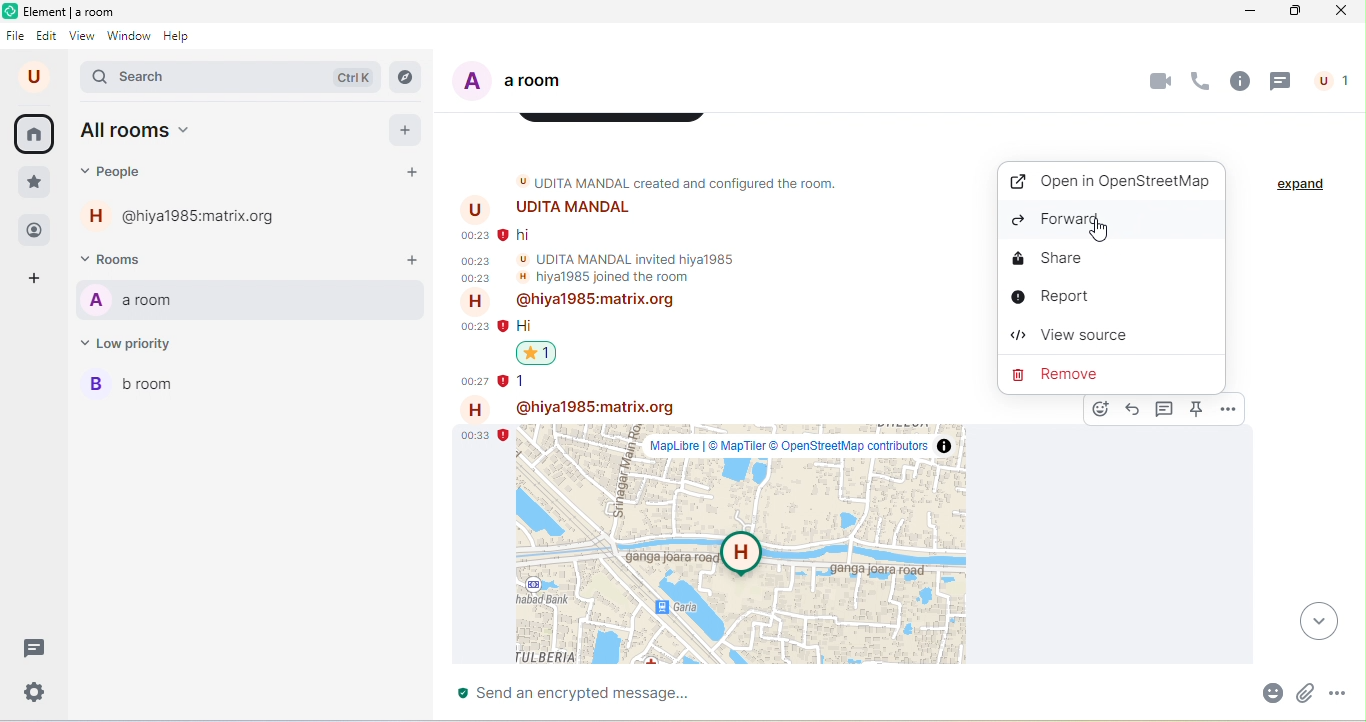 Image resolution: width=1366 pixels, height=722 pixels. Describe the element at coordinates (475, 256) in the screenshot. I see `Timestamp of texts` at that location.